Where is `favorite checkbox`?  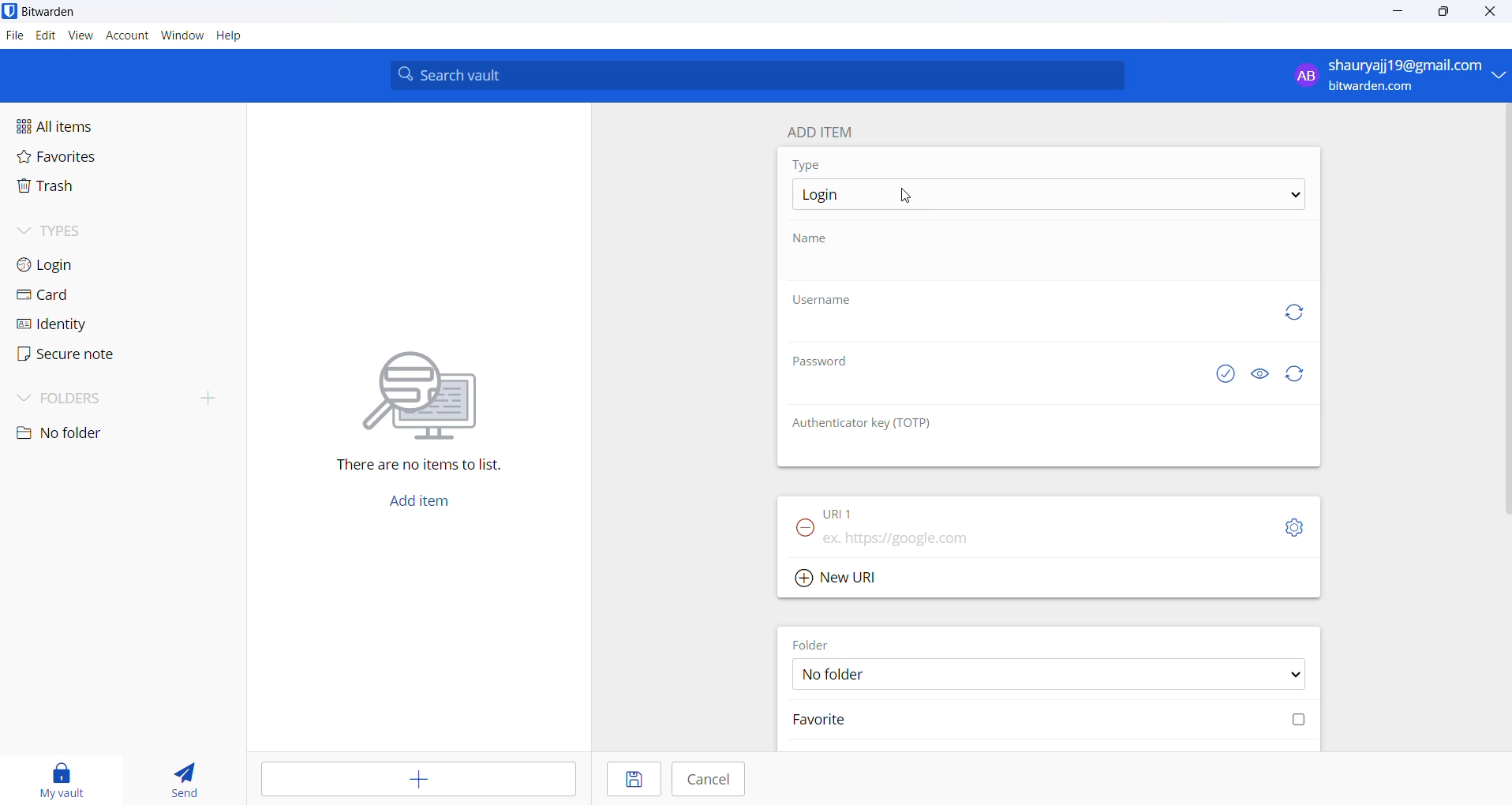
favorite checkbox is located at coordinates (1046, 723).